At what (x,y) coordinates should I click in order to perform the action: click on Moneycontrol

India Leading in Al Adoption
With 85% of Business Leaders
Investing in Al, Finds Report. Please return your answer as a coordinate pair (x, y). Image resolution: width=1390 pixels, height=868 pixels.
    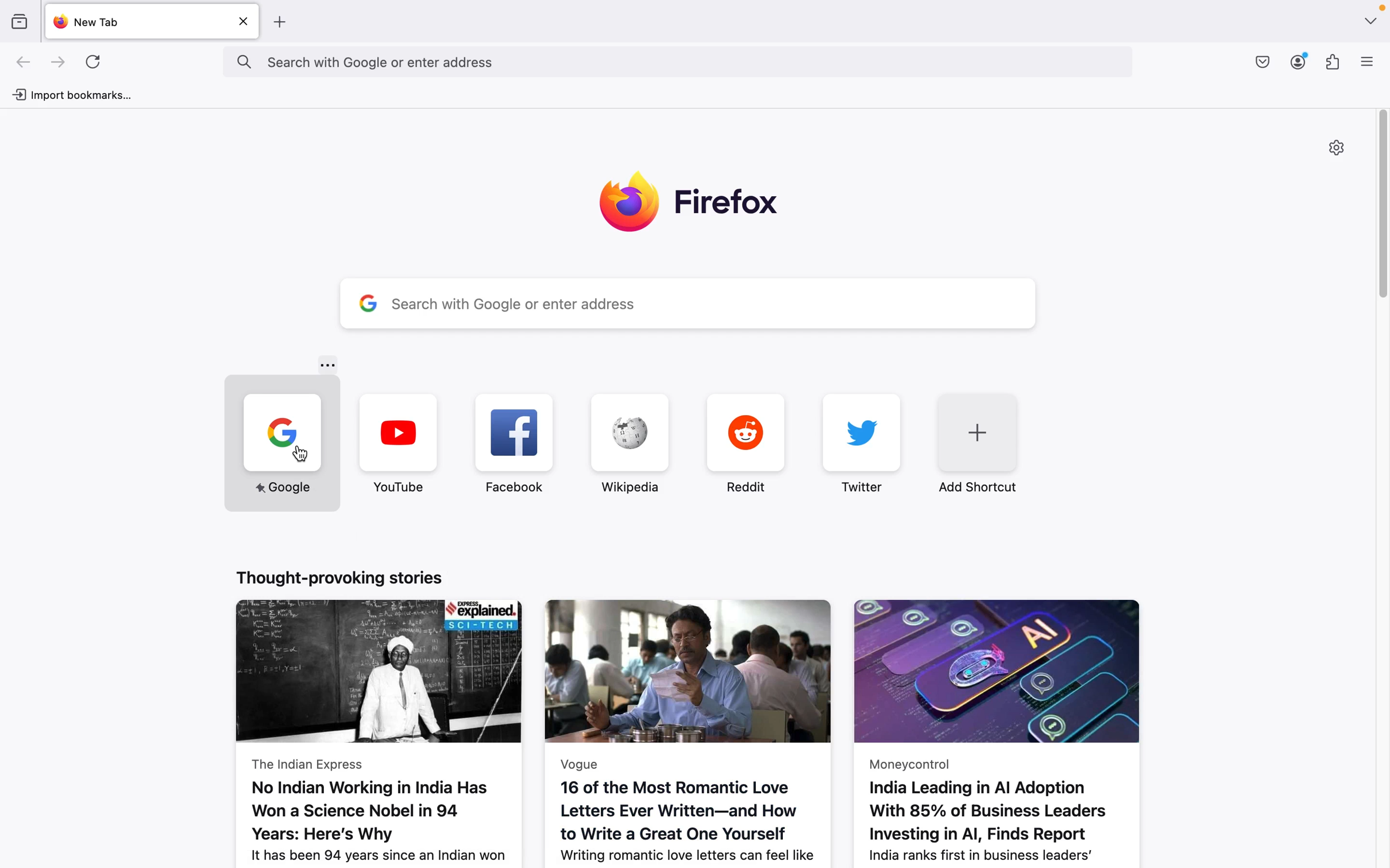
    Looking at the image, I should click on (1015, 728).